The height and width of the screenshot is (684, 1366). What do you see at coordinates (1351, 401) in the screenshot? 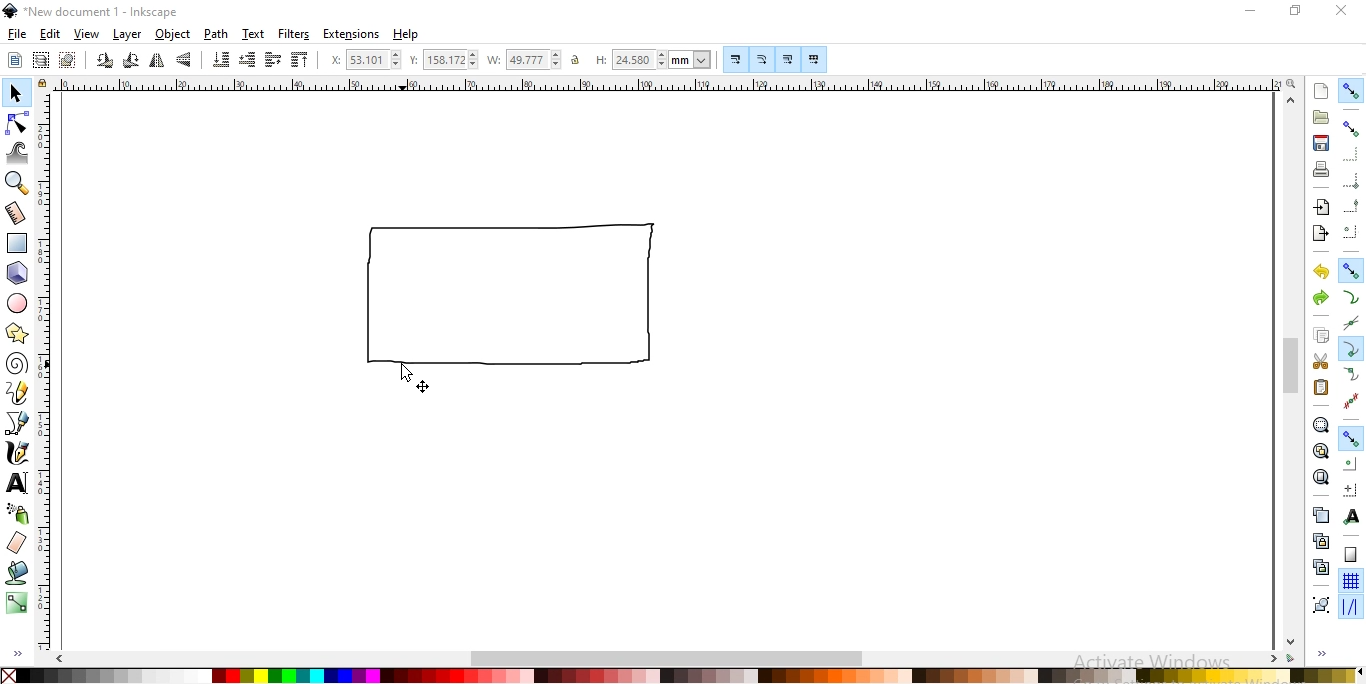
I see `` at bounding box center [1351, 401].